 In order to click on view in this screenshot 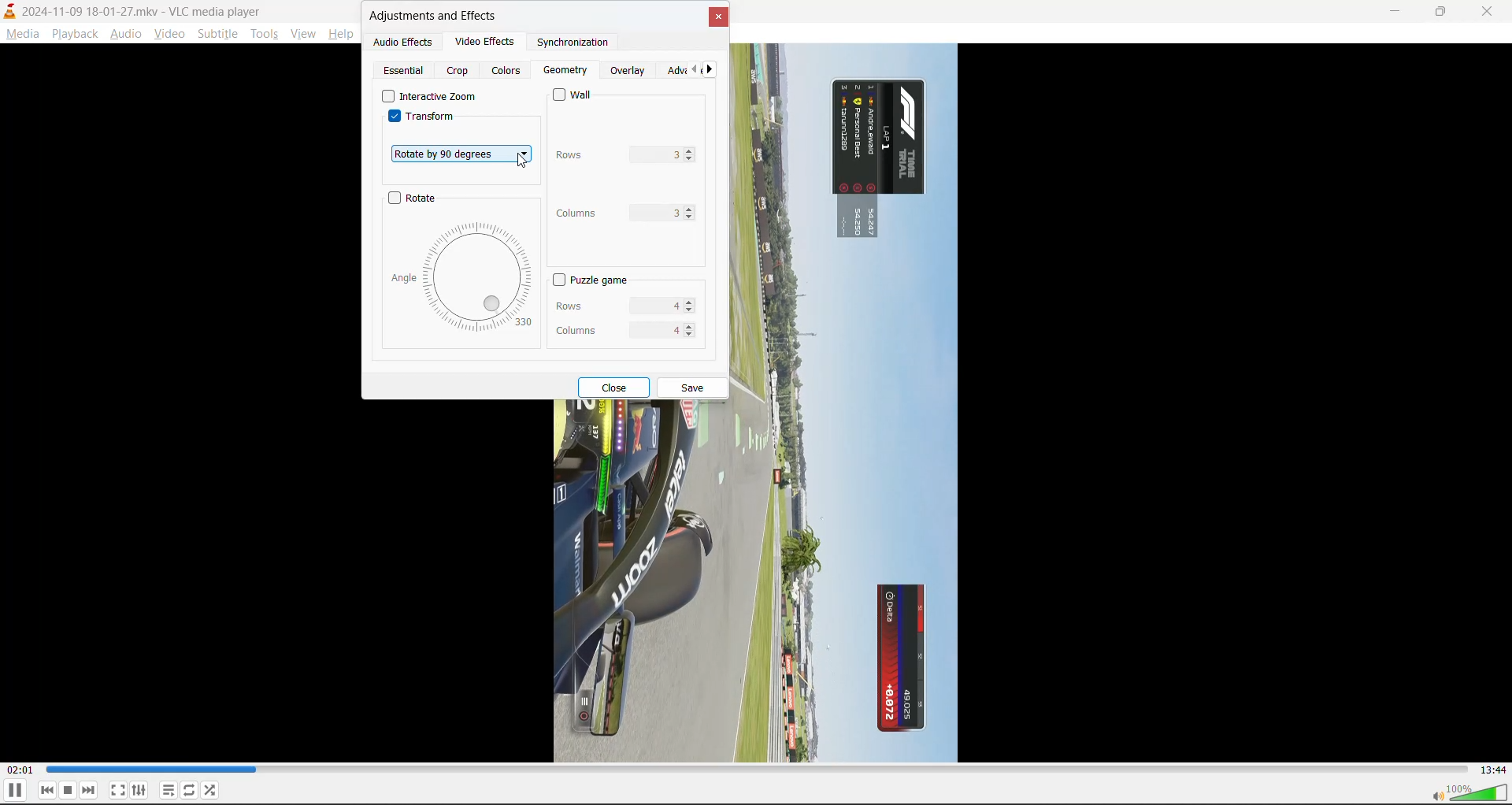, I will do `click(302, 34)`.